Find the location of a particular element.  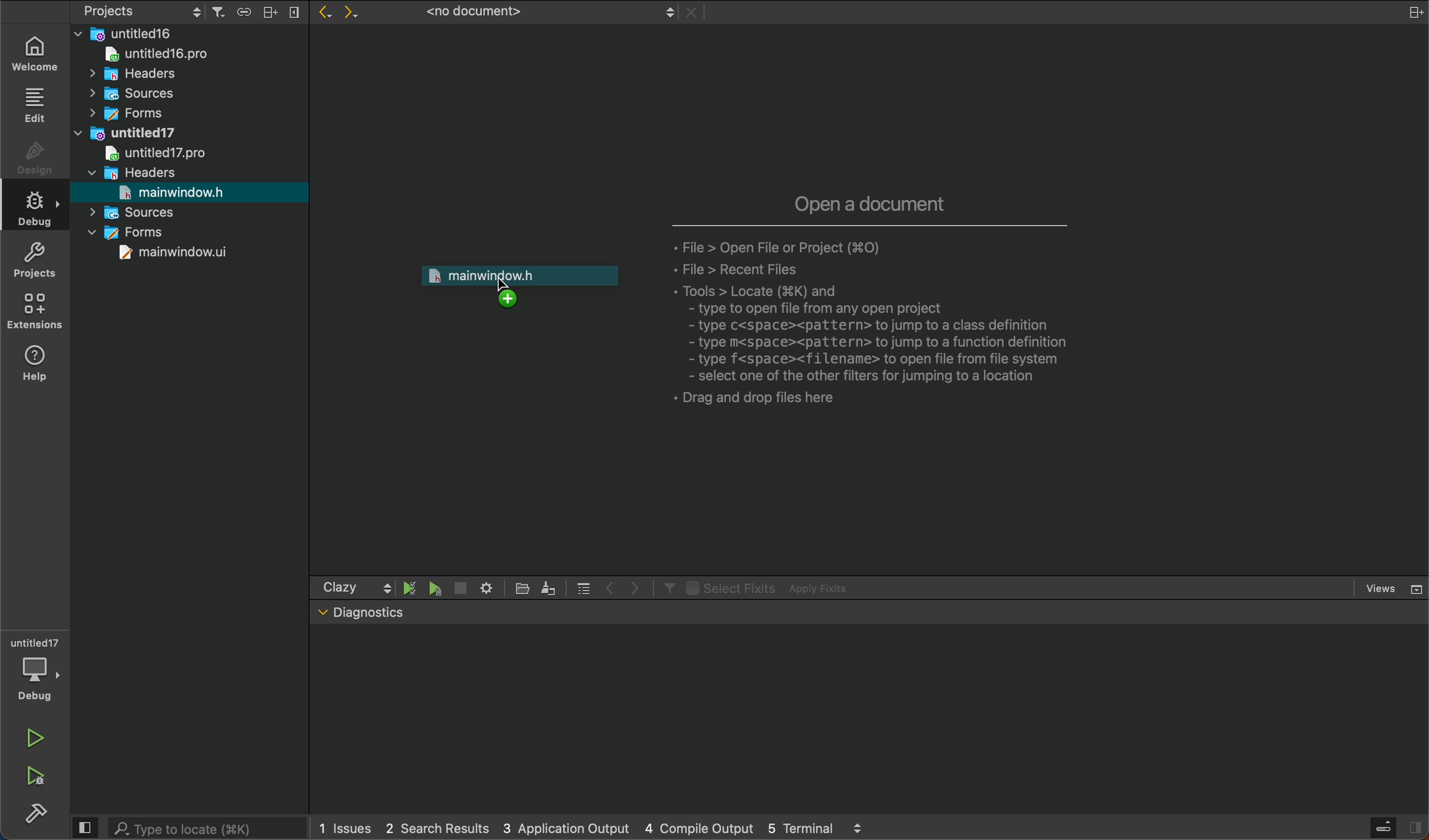

resume is located at coordinates (436, 589).